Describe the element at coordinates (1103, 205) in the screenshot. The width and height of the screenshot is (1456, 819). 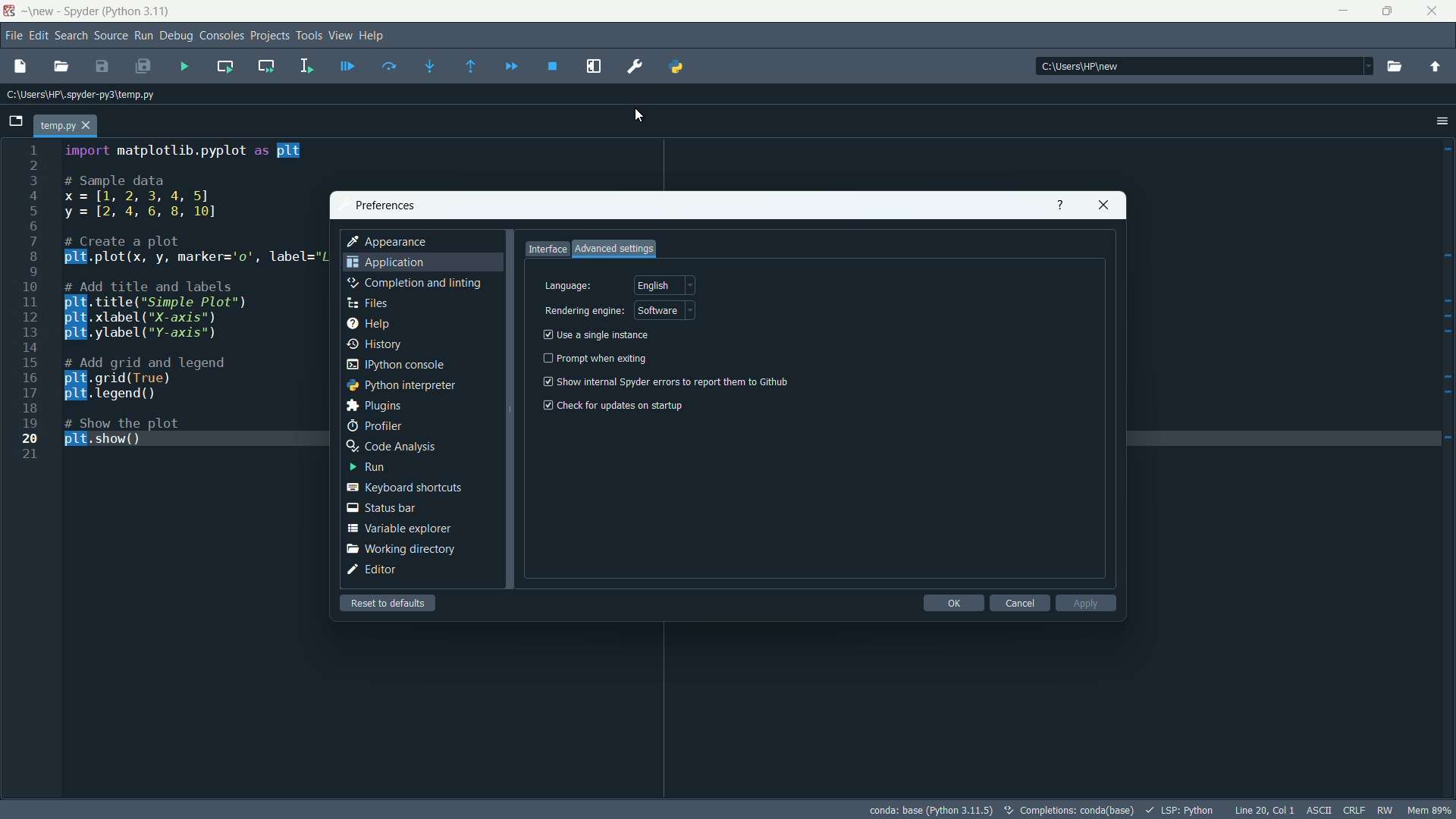
I see `close` at that location.